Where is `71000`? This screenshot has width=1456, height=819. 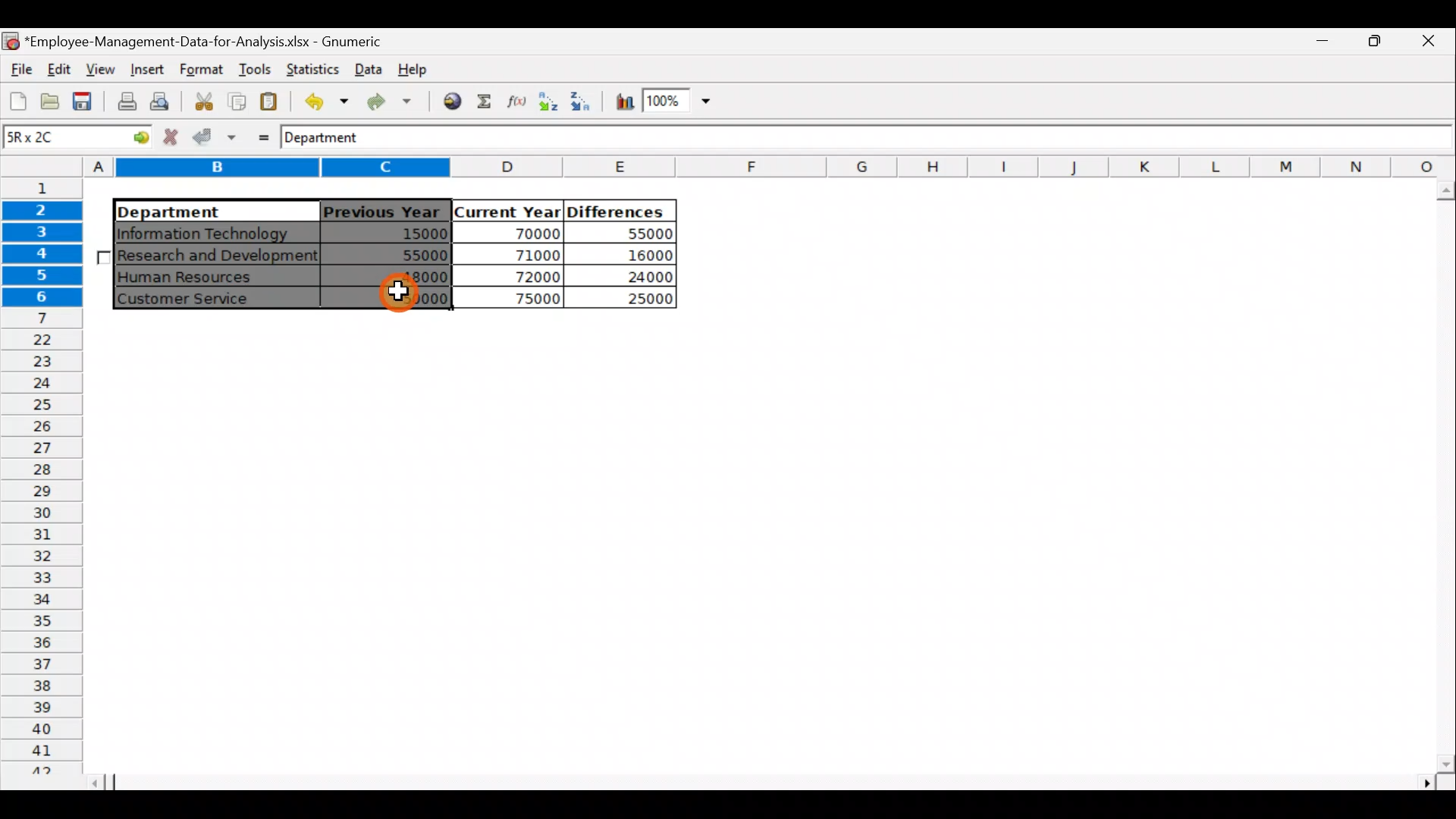
71000 is located at coordinates (525, 254).